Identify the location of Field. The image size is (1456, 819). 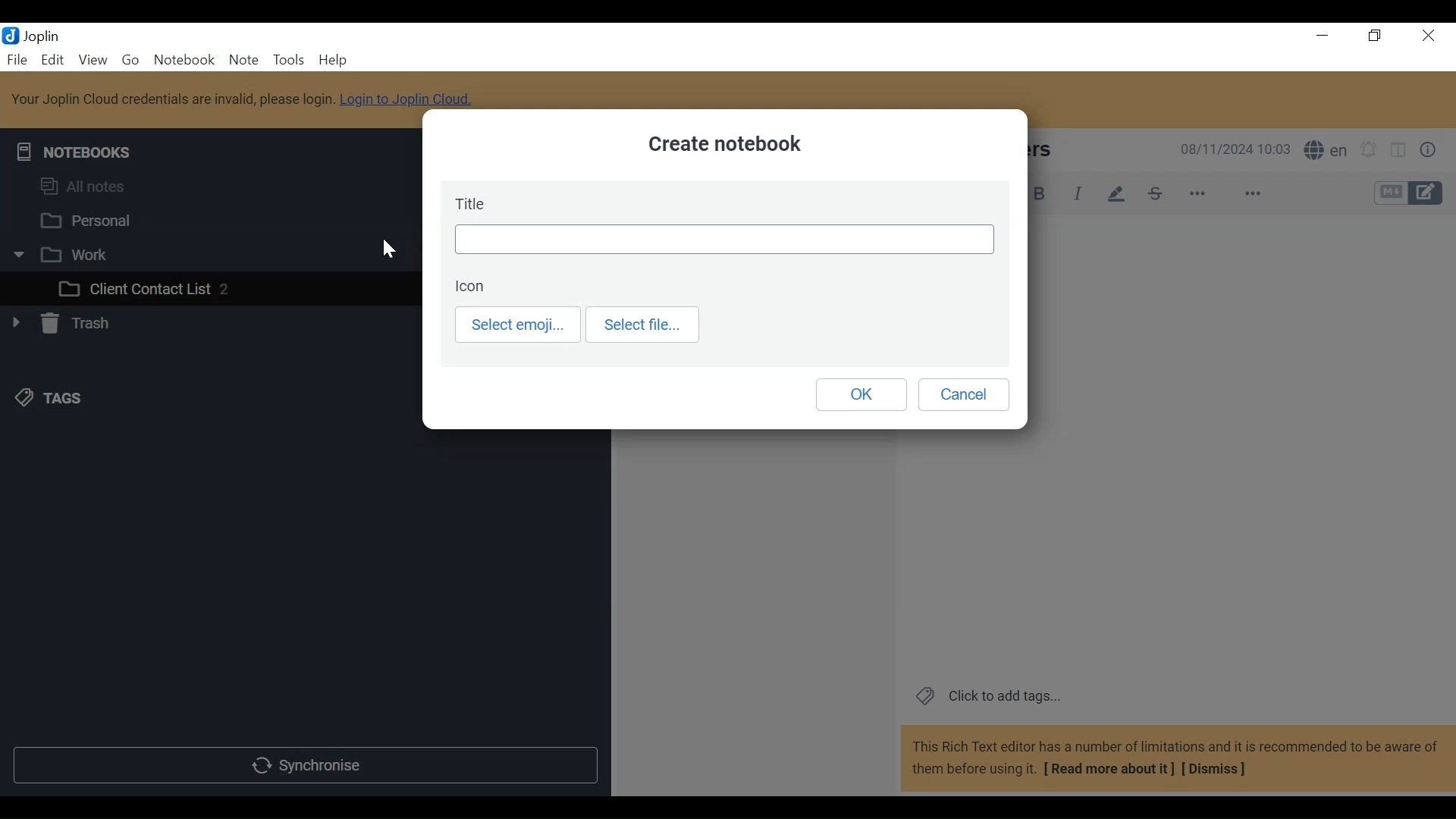
(723, 240).